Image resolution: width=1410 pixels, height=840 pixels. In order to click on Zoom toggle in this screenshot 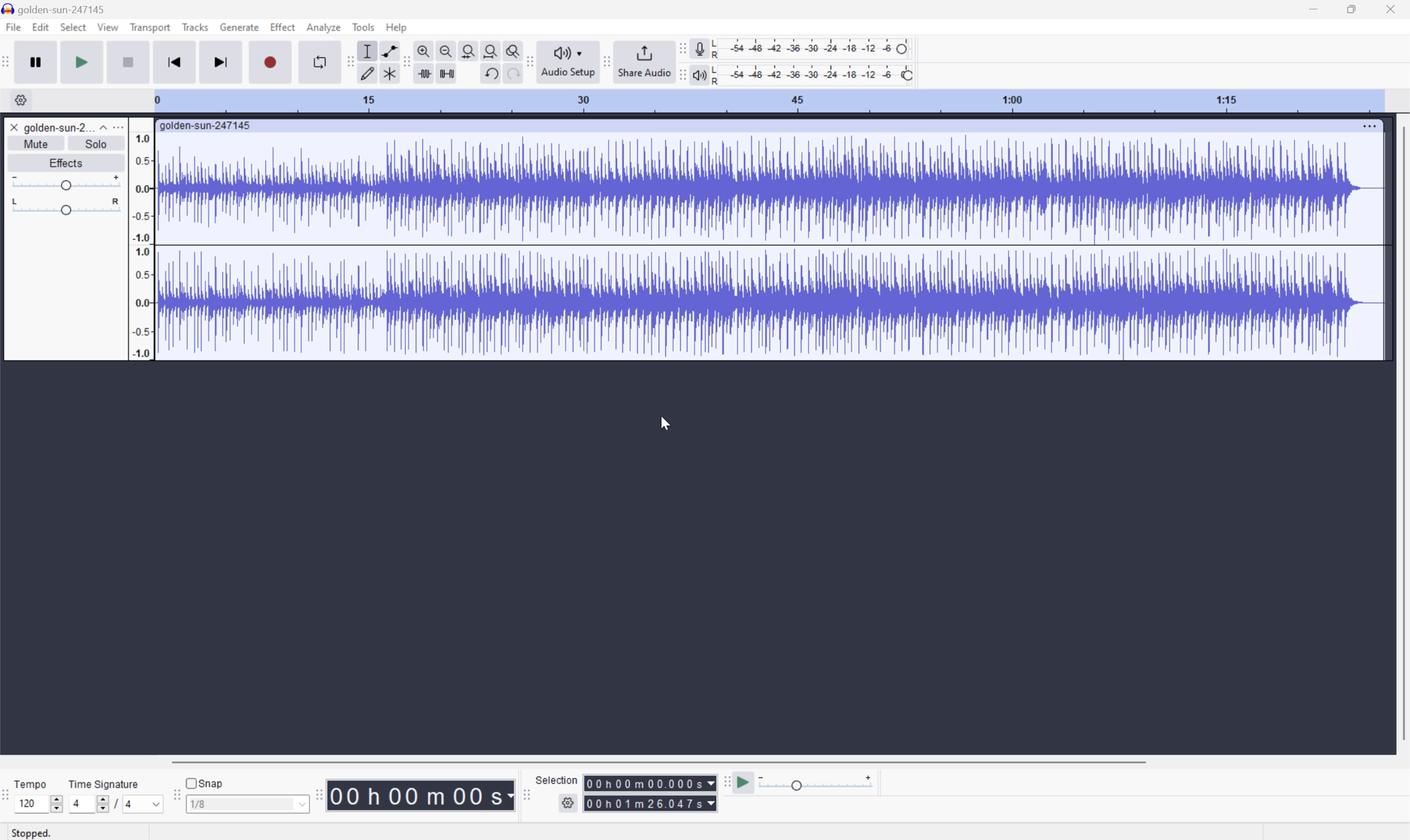, I will do `click(510, 50)`.